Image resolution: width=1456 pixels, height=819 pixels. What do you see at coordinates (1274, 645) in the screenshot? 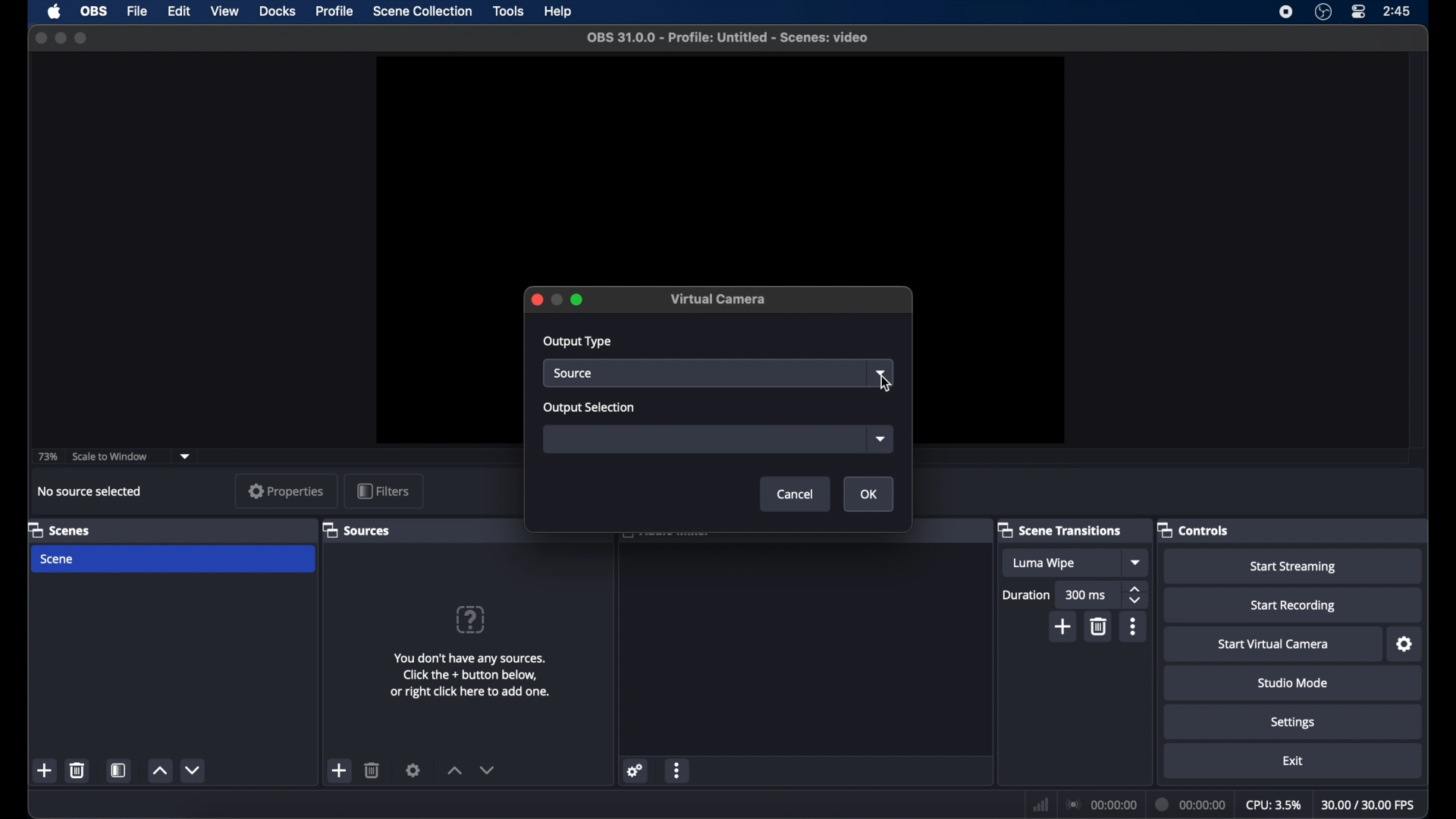
I see `start virtual camera` at bounding box center [1274, 645].